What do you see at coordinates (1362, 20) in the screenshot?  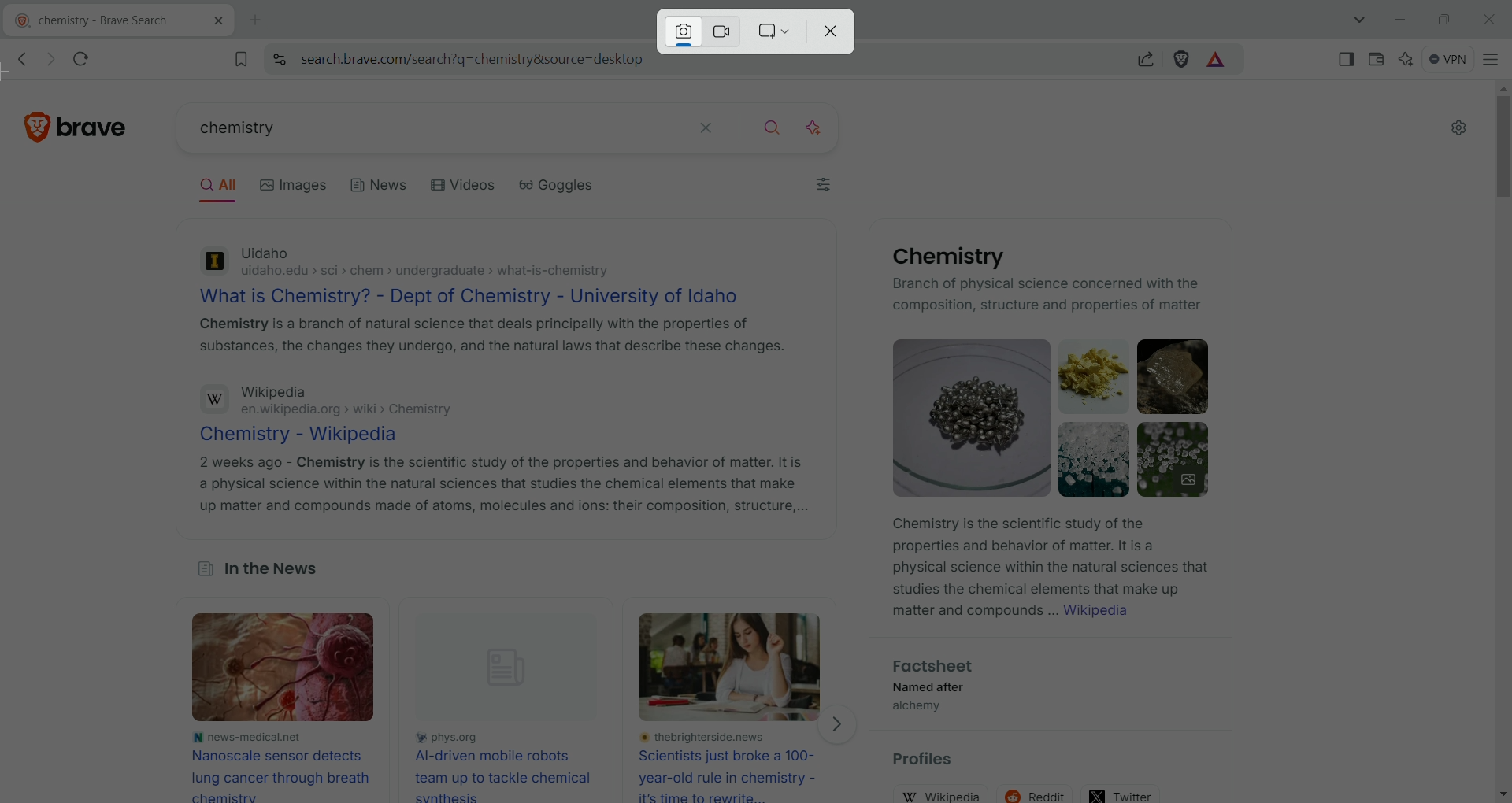 I see `search tabs` at bounding box center [1362, 20].